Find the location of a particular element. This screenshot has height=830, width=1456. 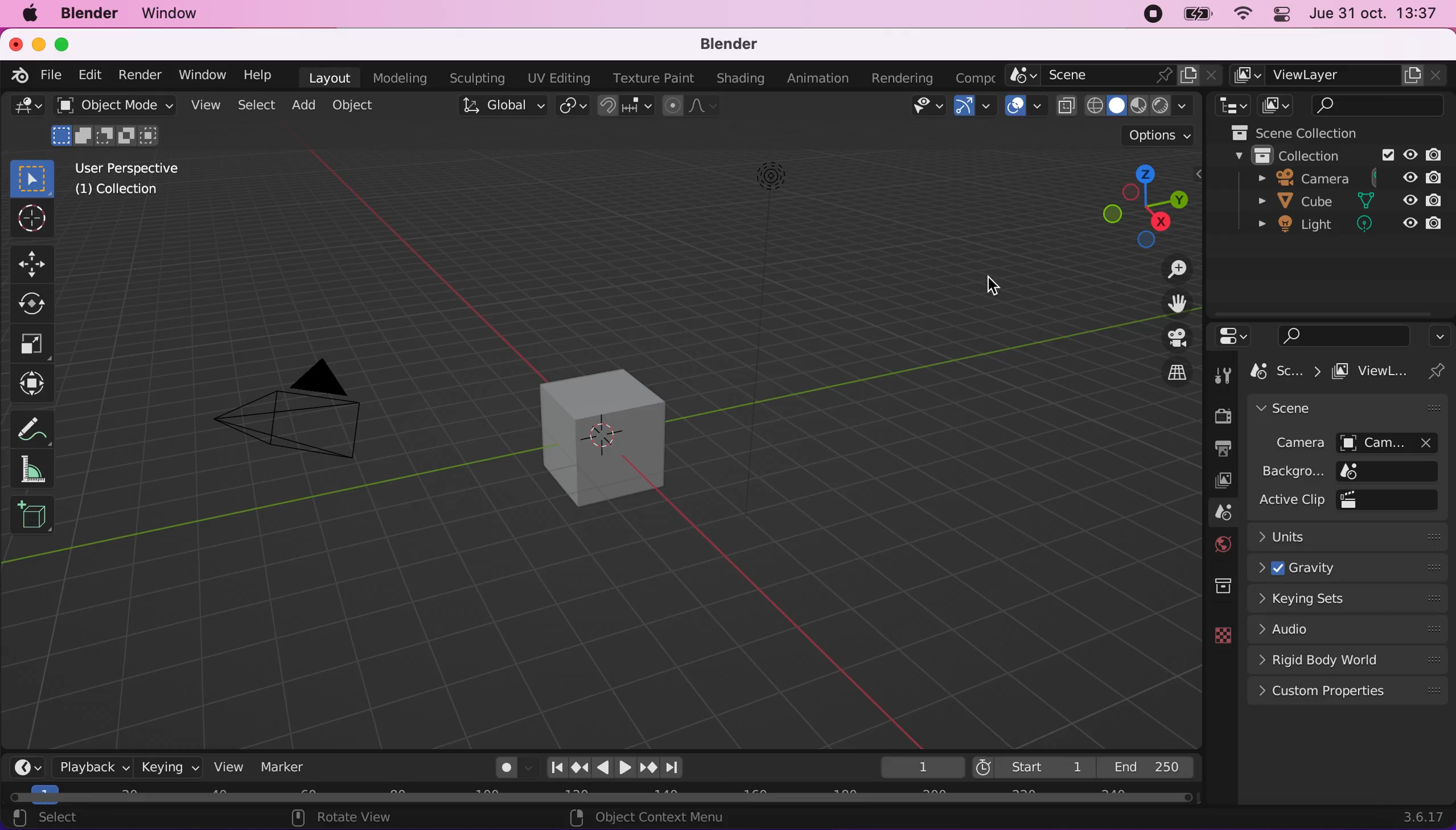

object context menu is located at coordinates (652, 819).